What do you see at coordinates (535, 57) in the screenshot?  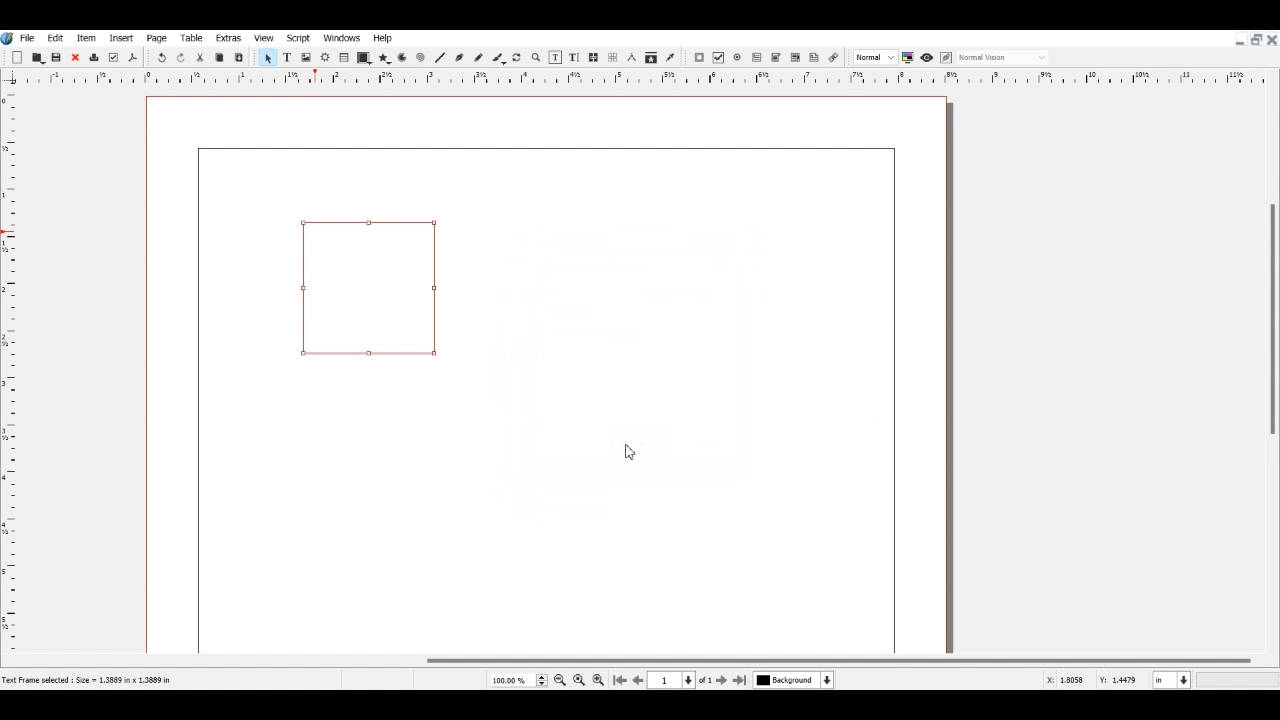 I see `Zoom in or out` at bounding box center [535, 57].